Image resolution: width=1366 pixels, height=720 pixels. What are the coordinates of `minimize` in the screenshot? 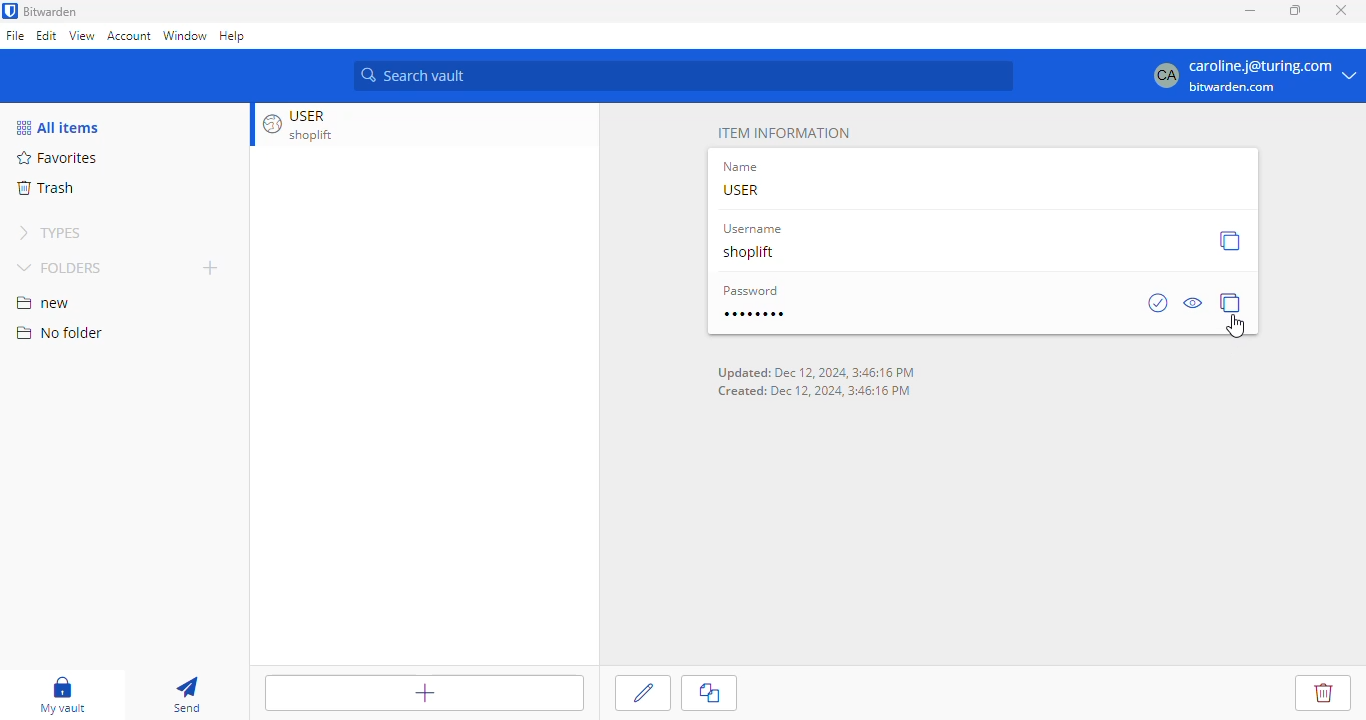 It's located at (1248, 11).